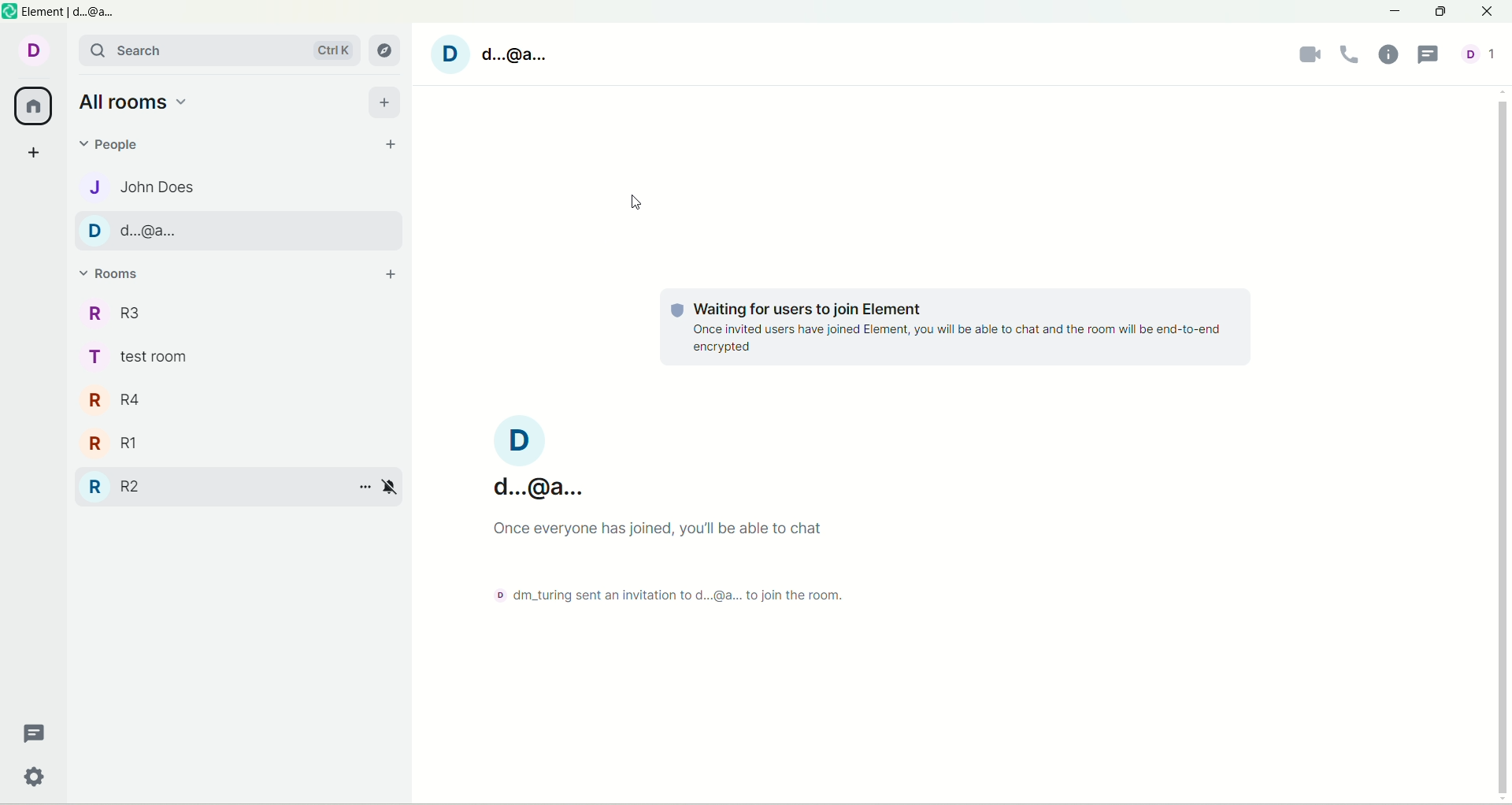 This screenshot has height=805, width=1512. Describe the element at coordinates (115, 143) in the screenshot. I see `people` at that location.